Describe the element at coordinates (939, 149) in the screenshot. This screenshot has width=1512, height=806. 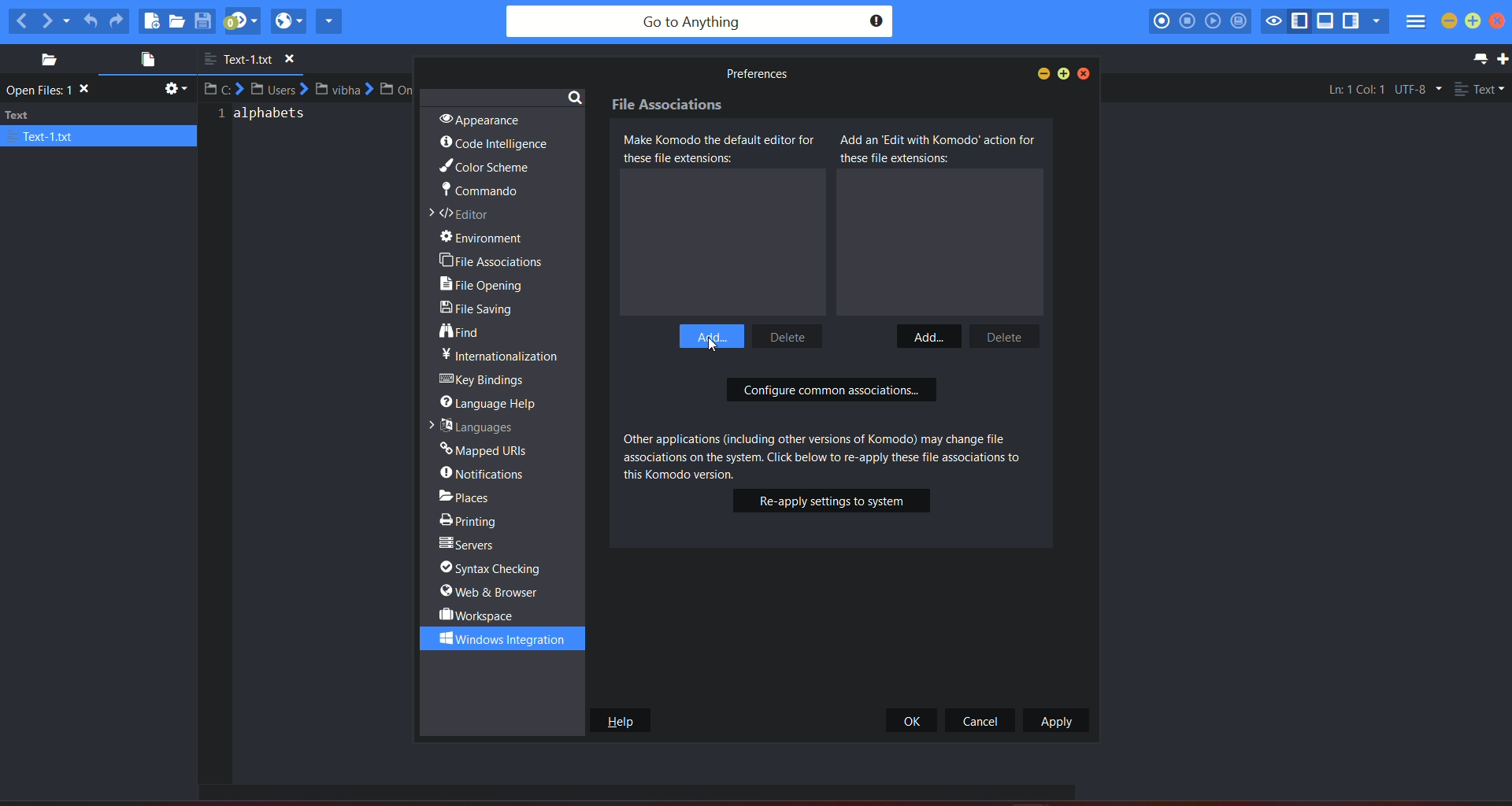
I see `Add an edit with komodo` at that location.